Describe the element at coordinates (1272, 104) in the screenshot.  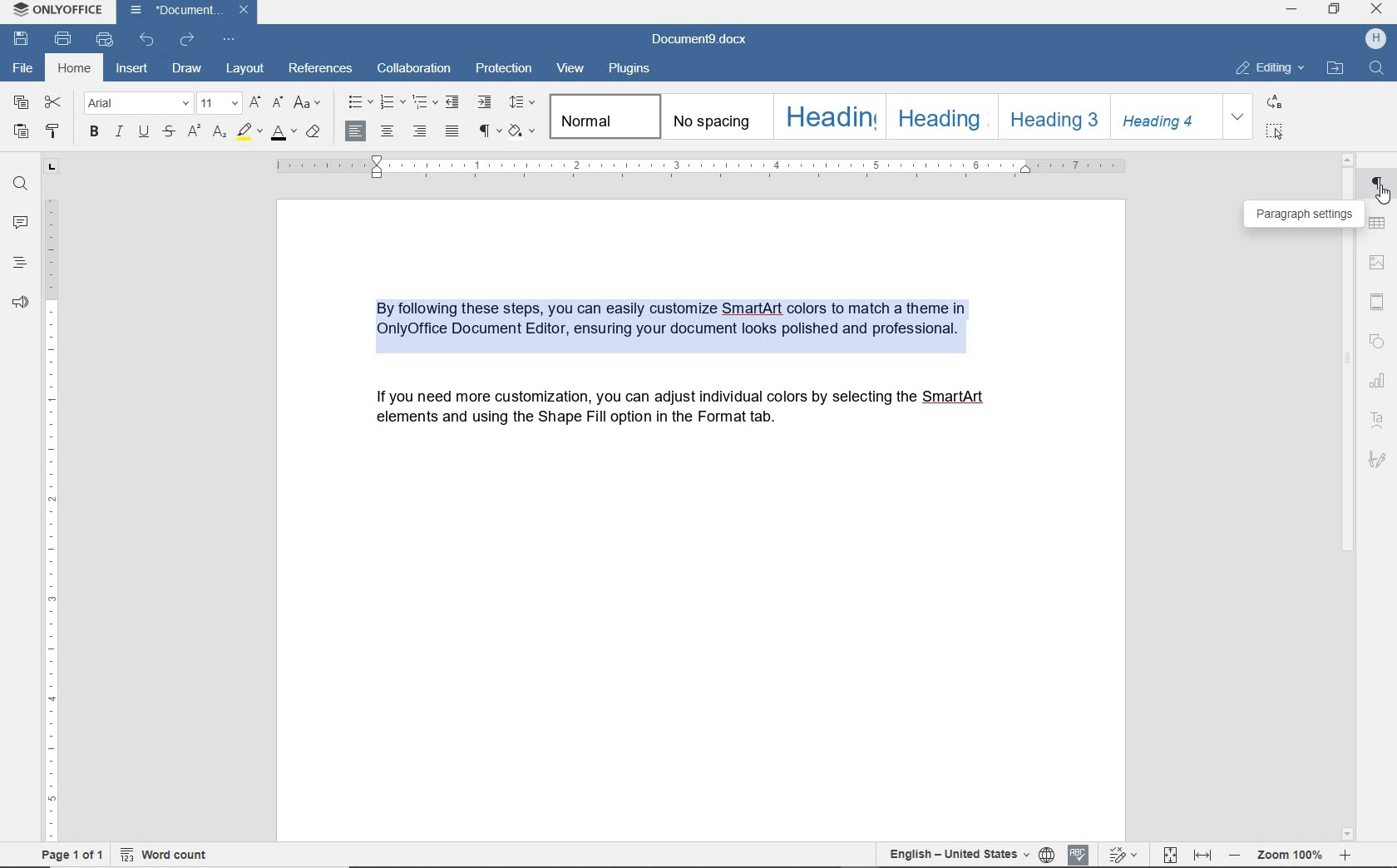
I see `replace` at that location.